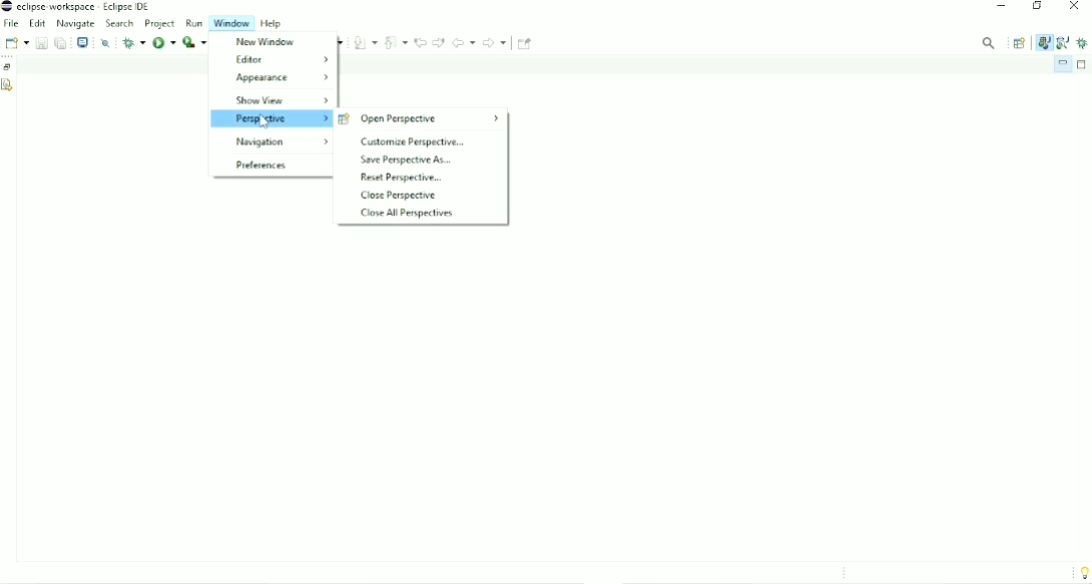  What do you see at coordinates (1082, 572) in the screenshot?
I see `Tip` at bounding box center [1082, 572].